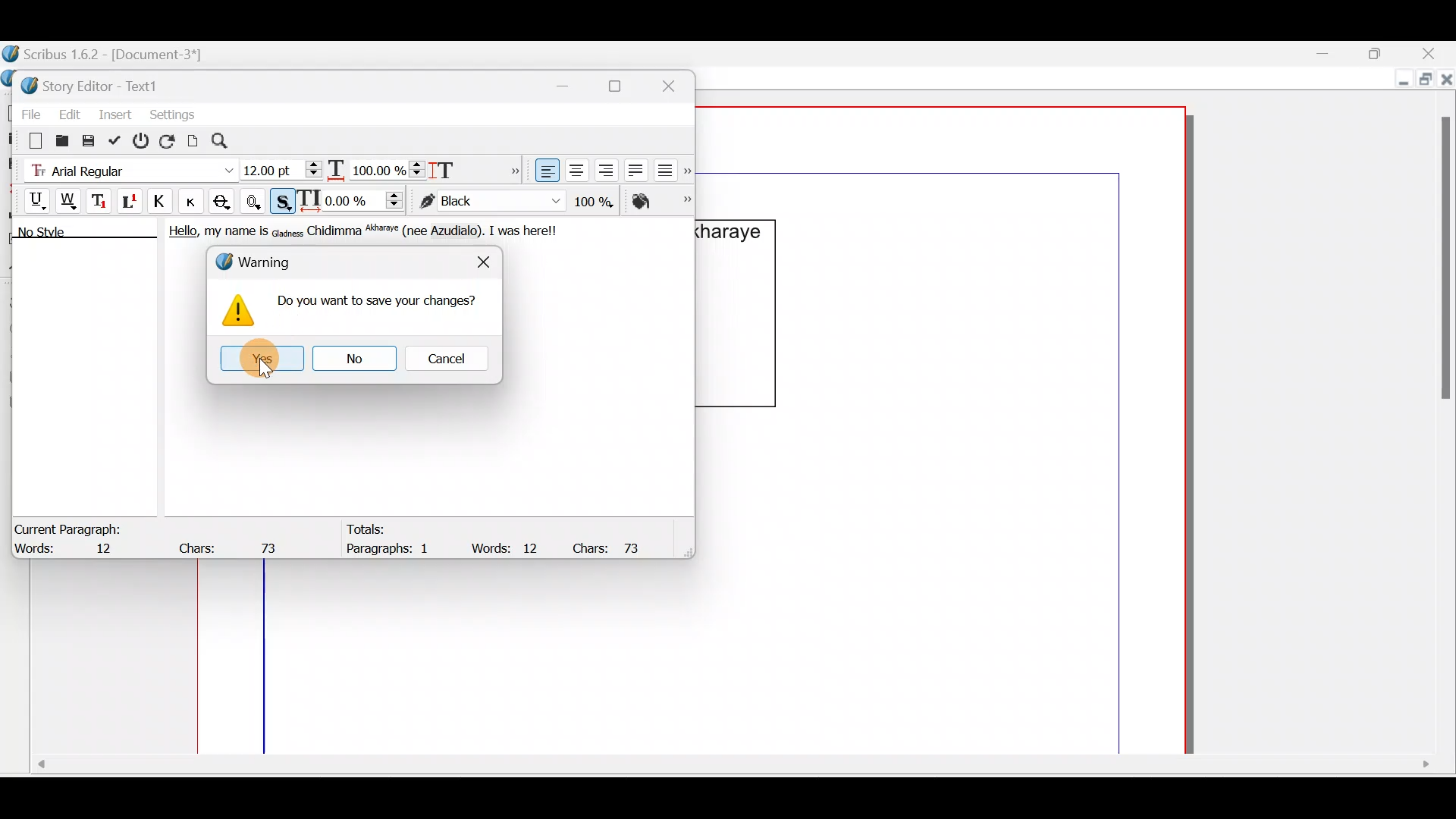 The image size is (1456, 819). I want to click on Underline words only, so click(70, 200).